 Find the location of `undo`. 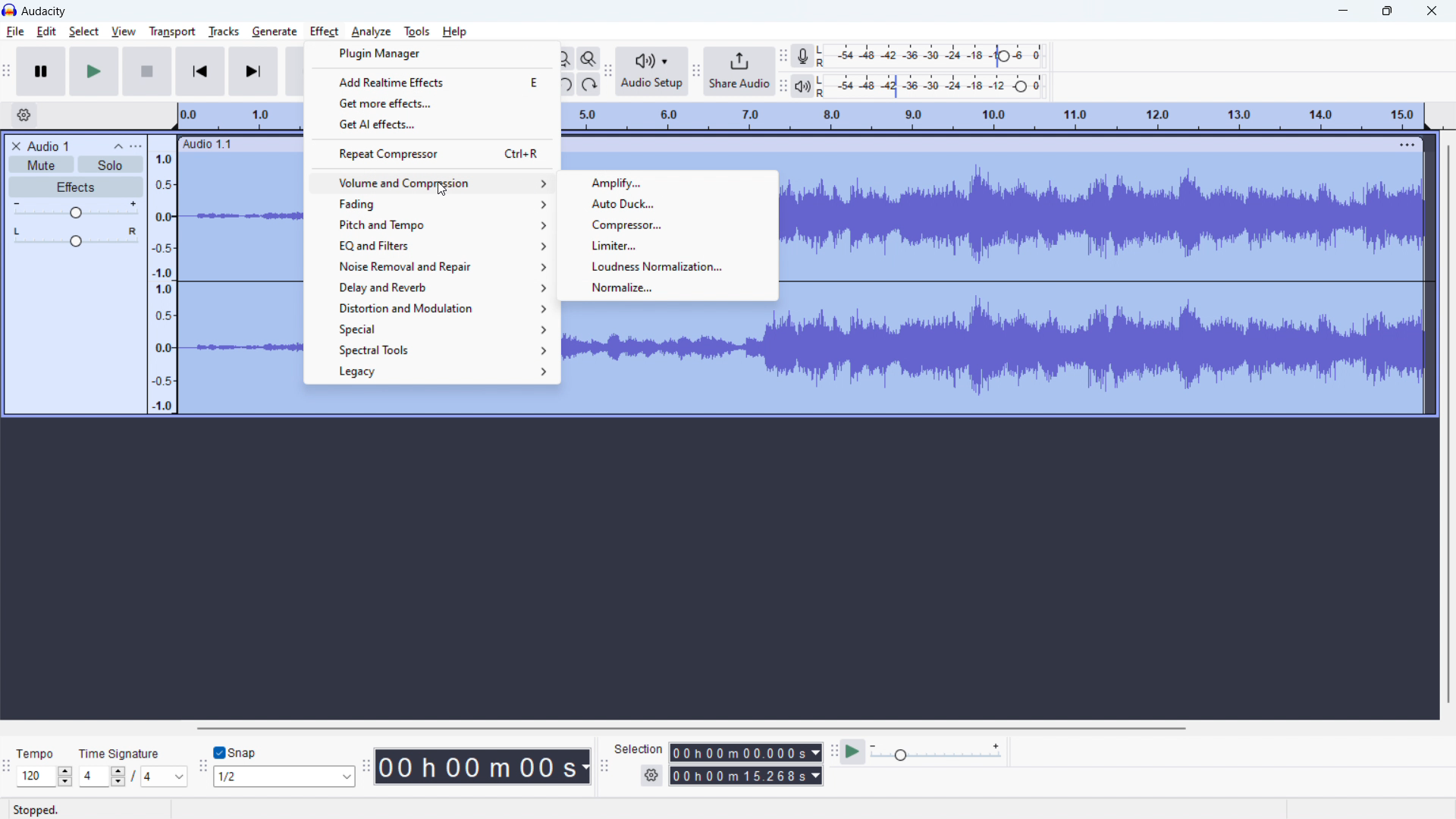

undo is located at coordinates (566, 84).